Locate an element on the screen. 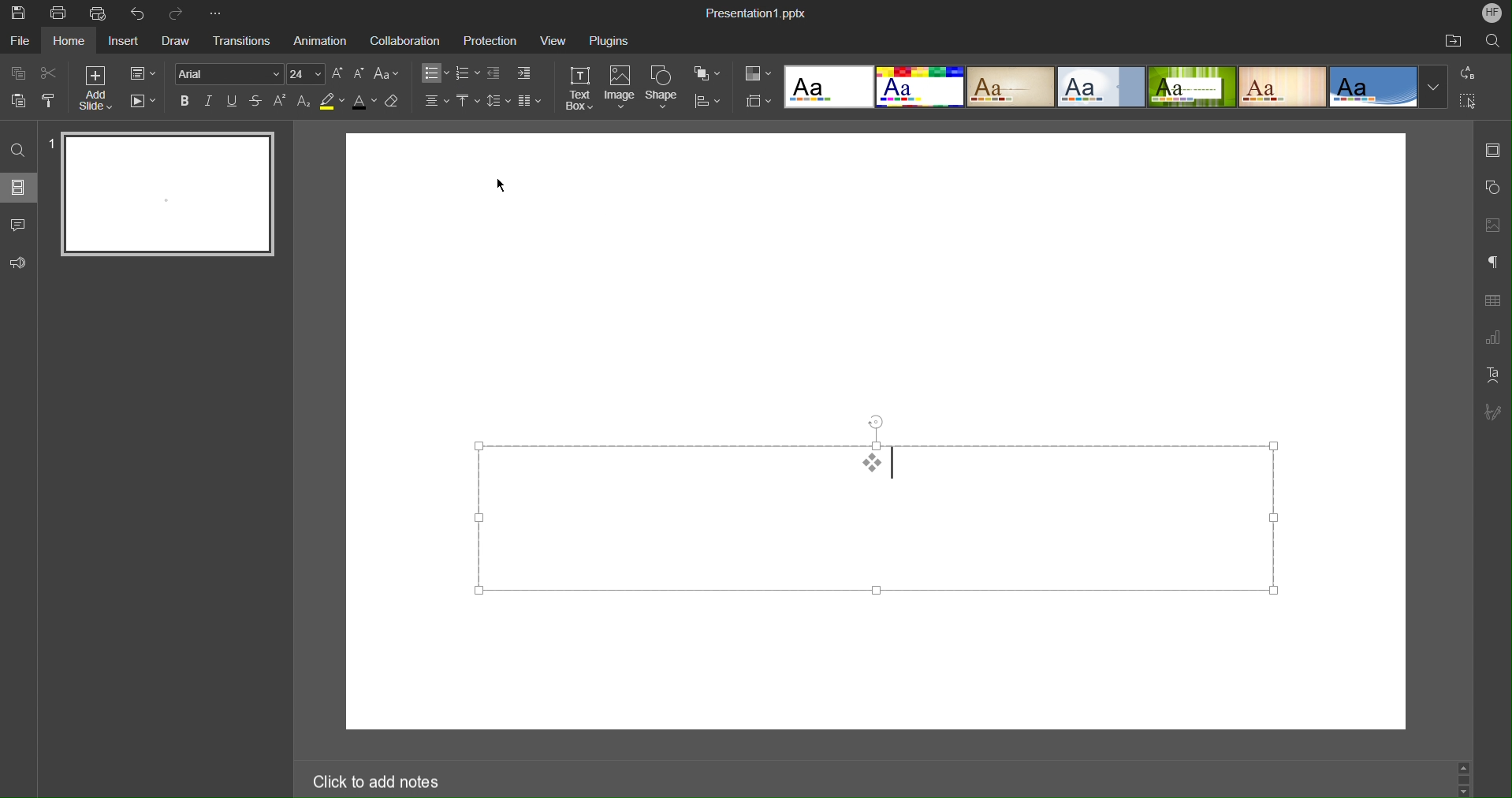 This screenshot has height=798, width=1512. Table Settings is located at coordinates (1492, 300).